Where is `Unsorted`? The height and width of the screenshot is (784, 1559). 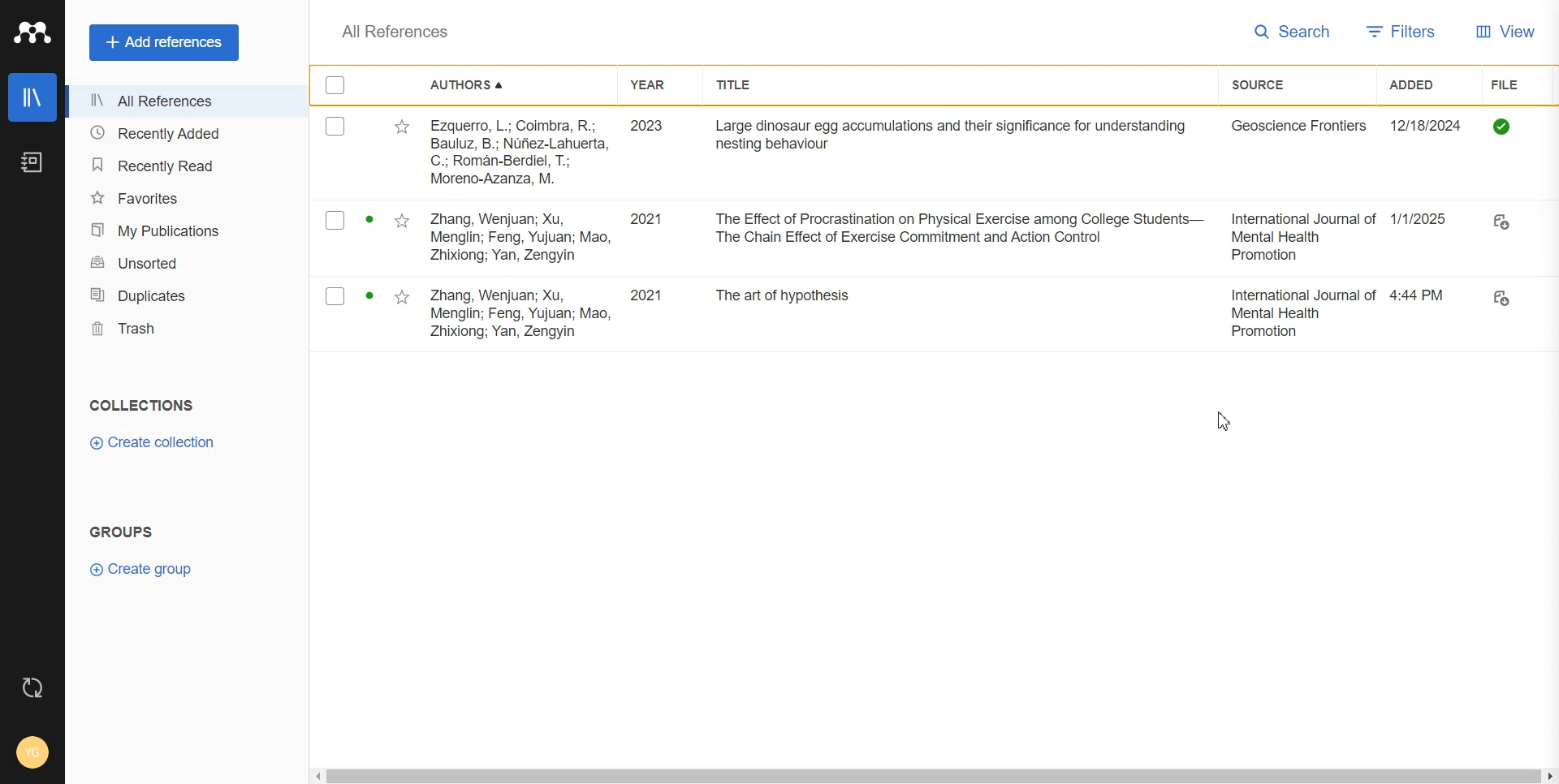 Unsorted is located at coordinates (175, 262).